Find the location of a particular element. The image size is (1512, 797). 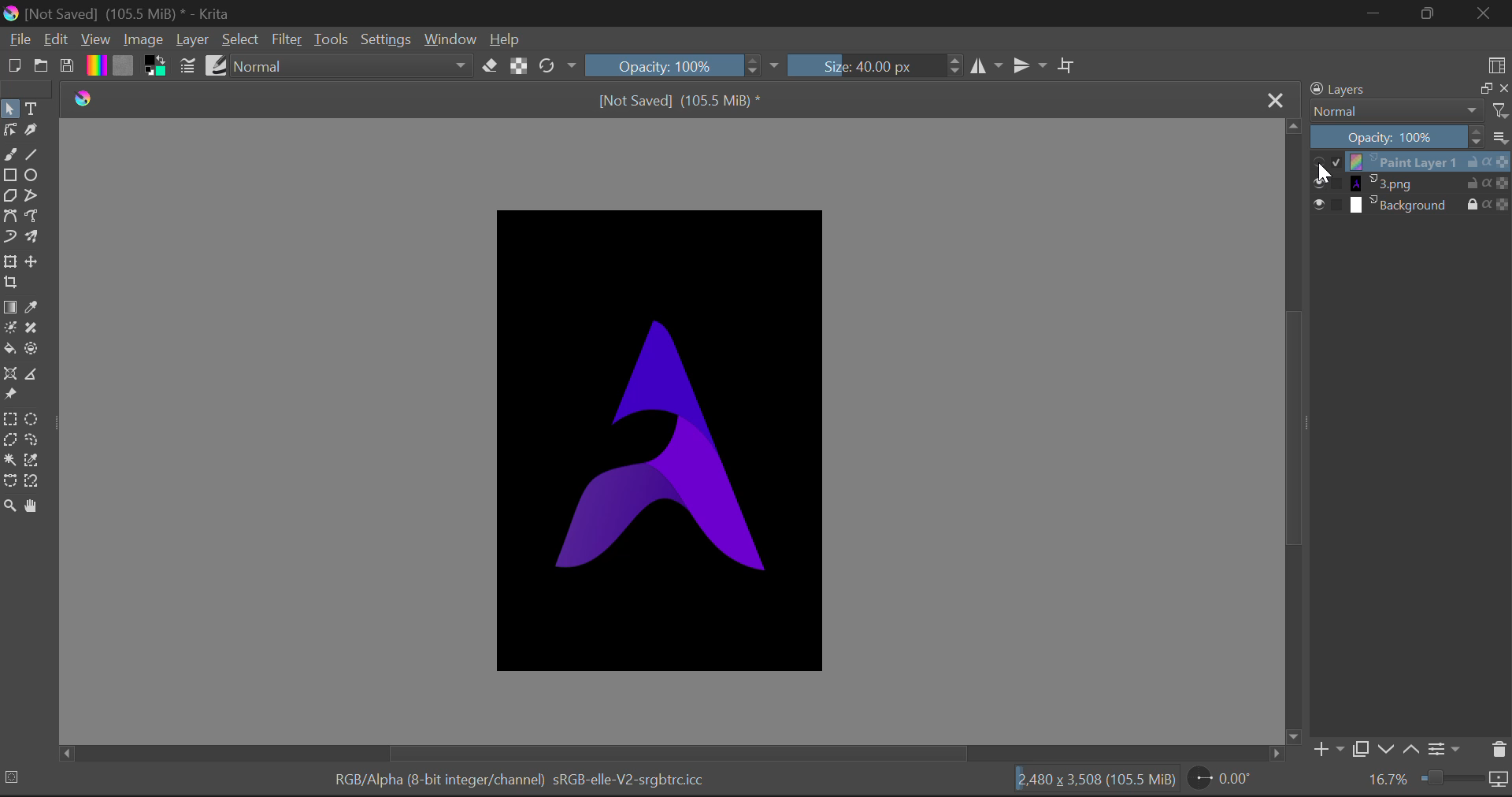

Copy Layer is located at coordinates (1362, 747).